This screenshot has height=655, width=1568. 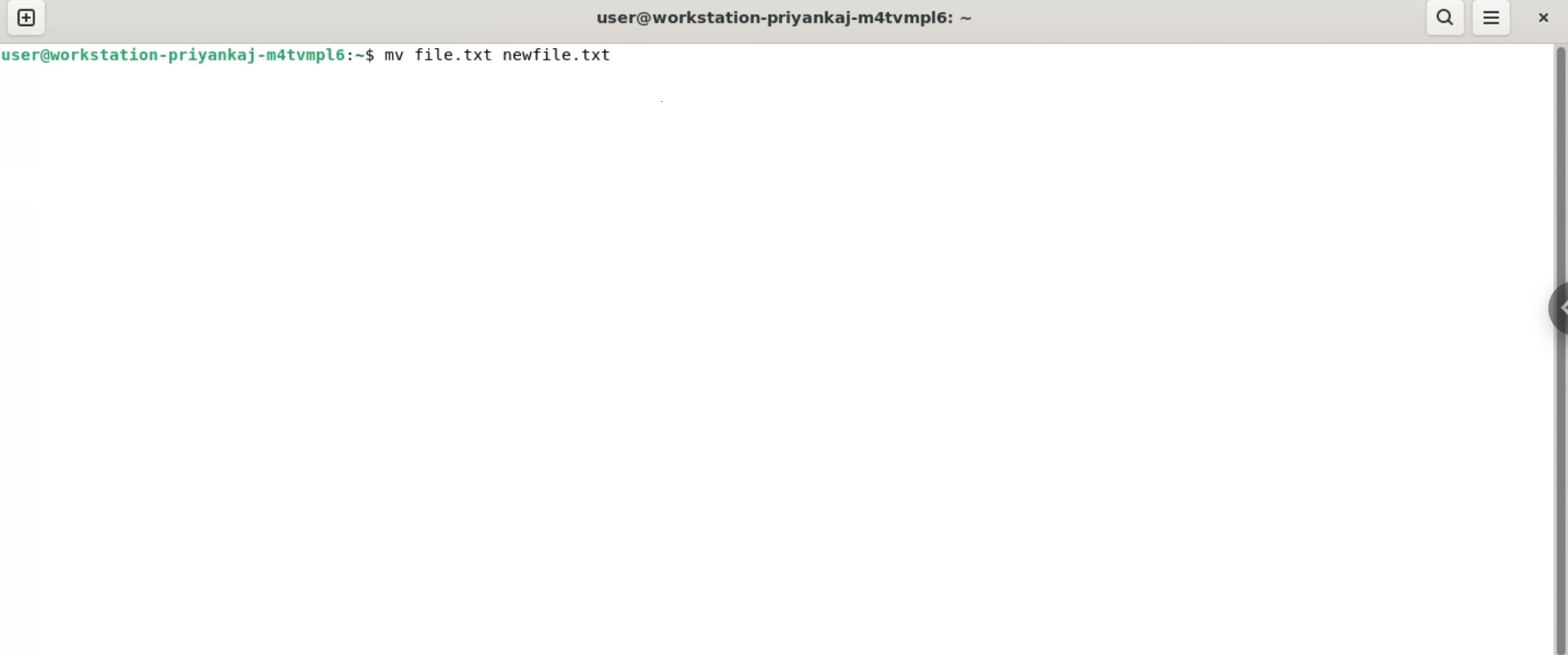 What do you see at coordinates (500, 54) in the screenshot?
I see `mv file.txt newfile.txt` at bounding box center [500, 54].